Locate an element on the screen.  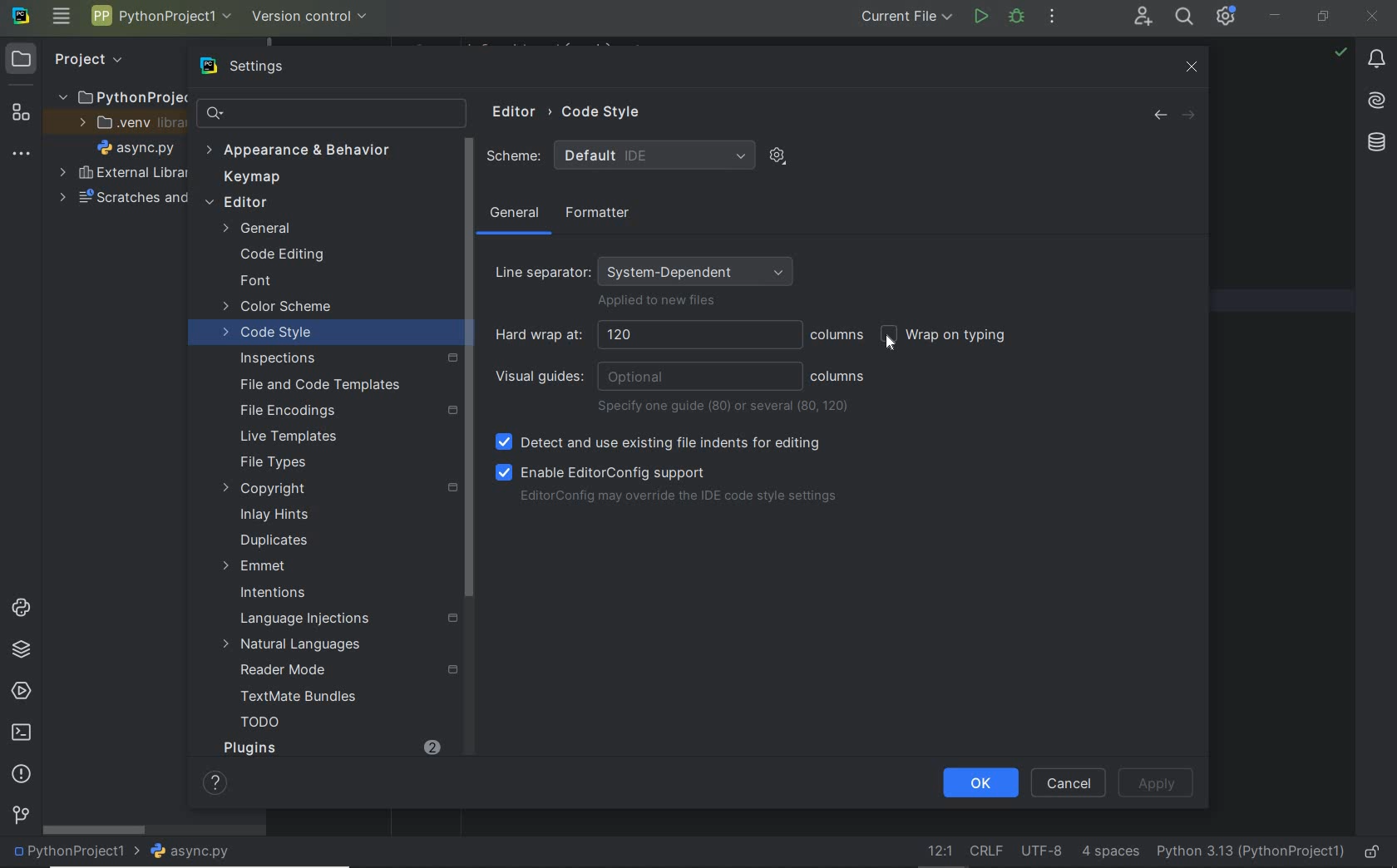
scrollbar is located at coordinates (96, 831).